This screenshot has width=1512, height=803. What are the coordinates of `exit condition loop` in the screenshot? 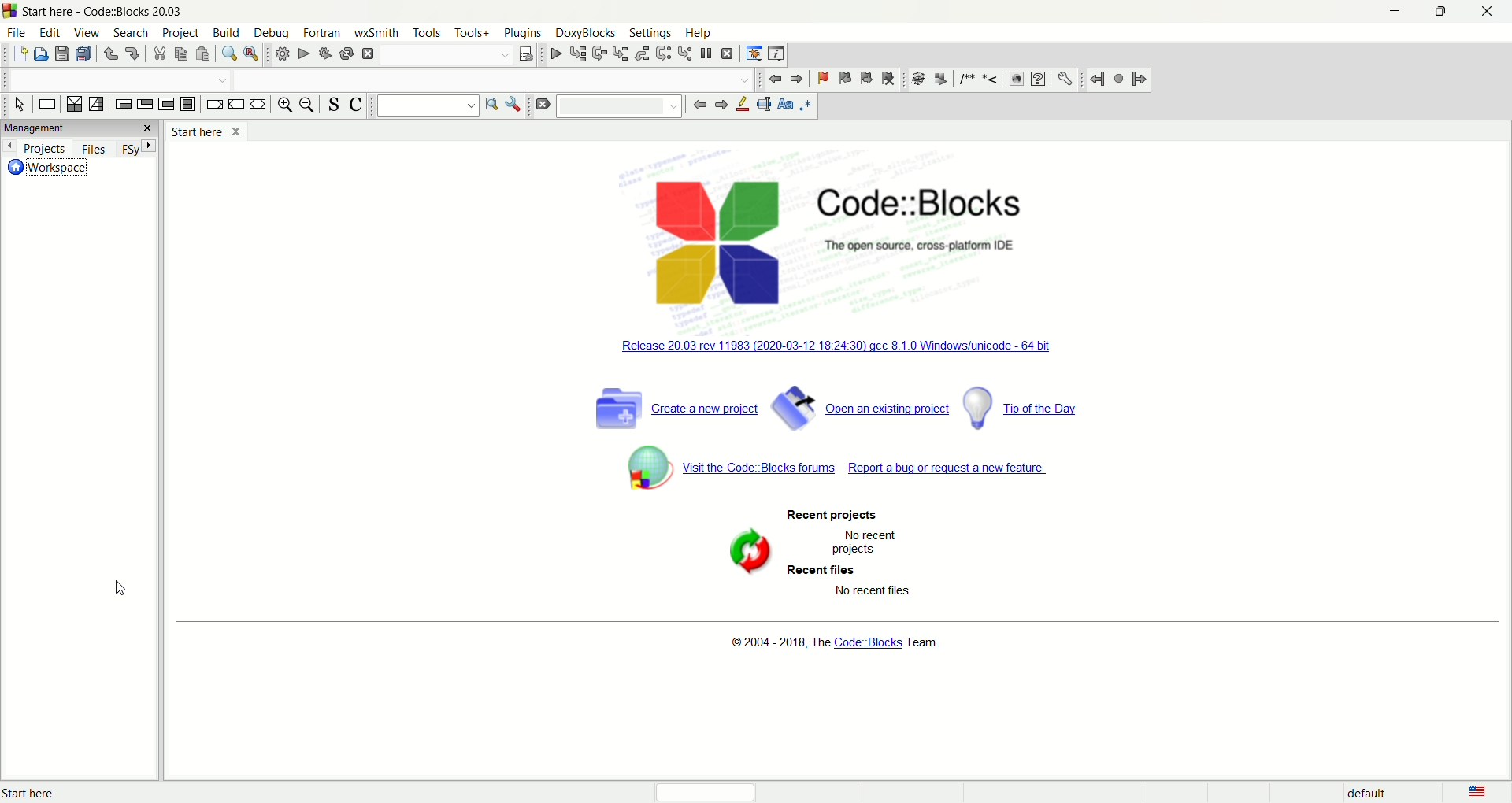 It's located at (146, 104).